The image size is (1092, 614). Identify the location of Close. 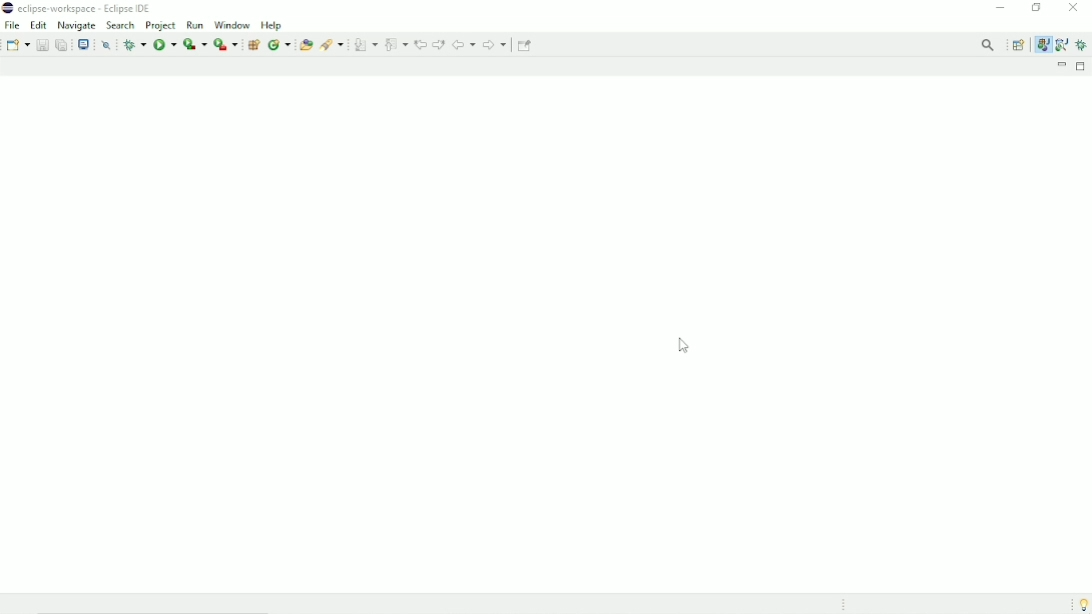
(1074, 9).